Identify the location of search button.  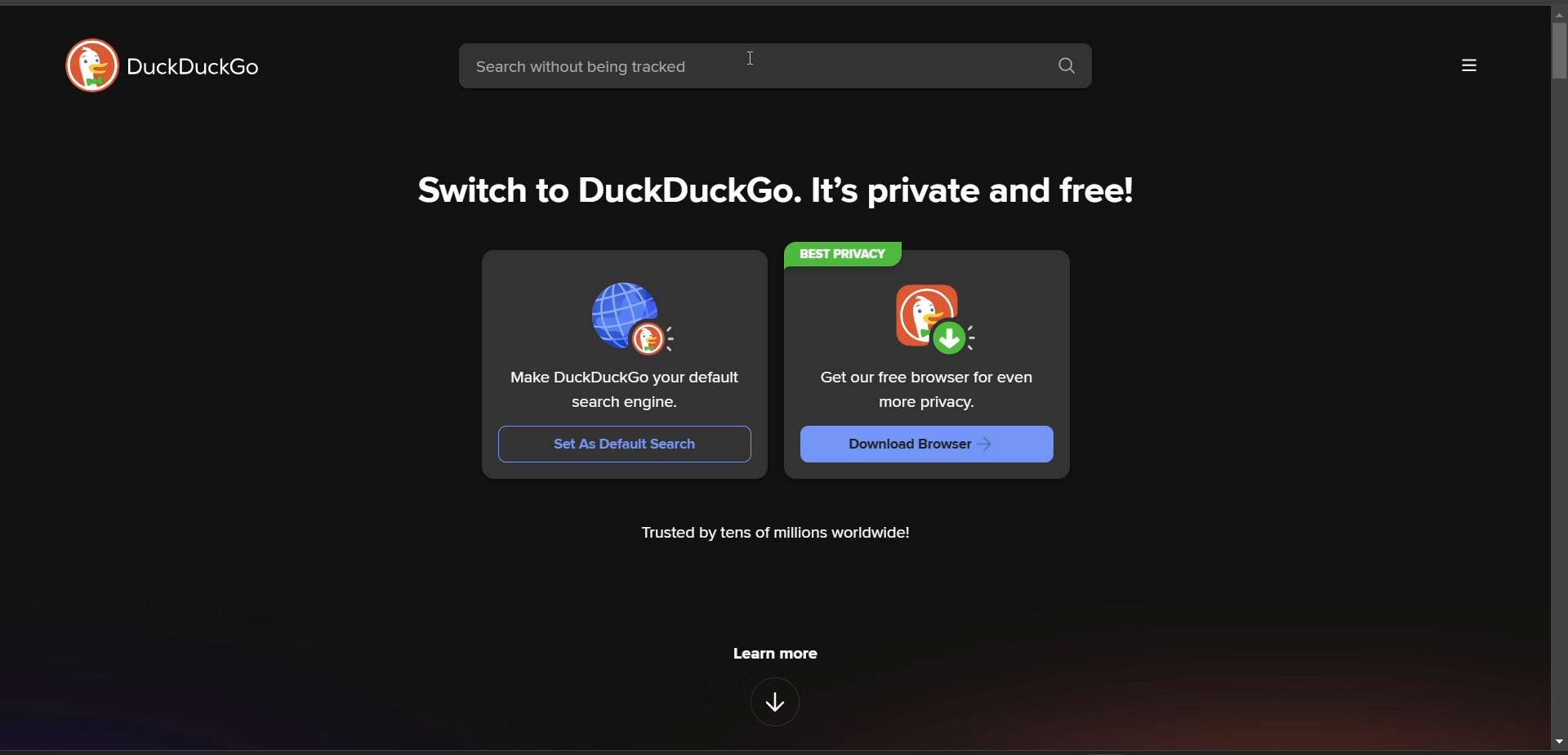
(1067, 65).